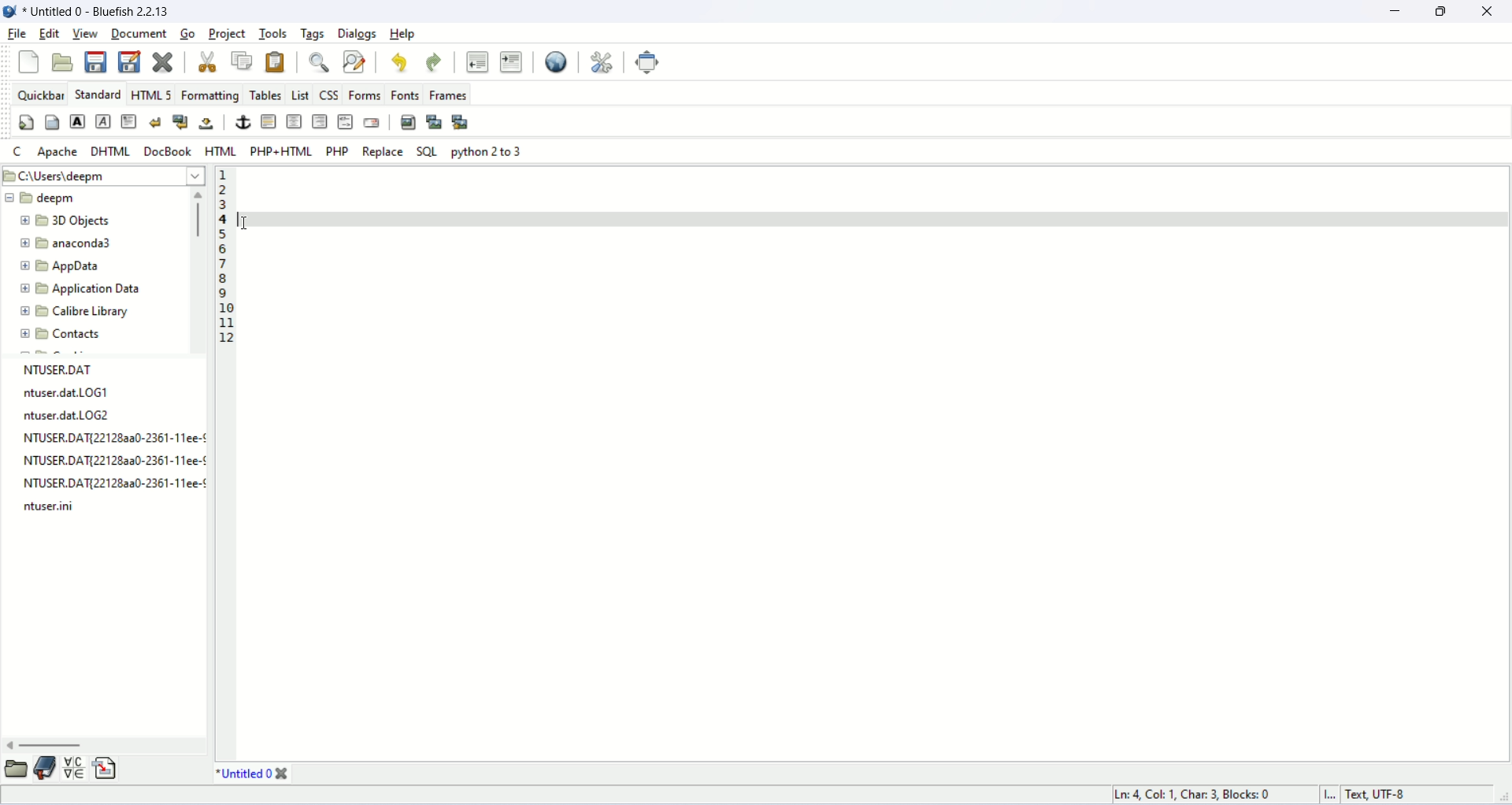 Image resolution: width=1512 pixels, height=805 pixels. I want to click on right justify, so click(322, 124).